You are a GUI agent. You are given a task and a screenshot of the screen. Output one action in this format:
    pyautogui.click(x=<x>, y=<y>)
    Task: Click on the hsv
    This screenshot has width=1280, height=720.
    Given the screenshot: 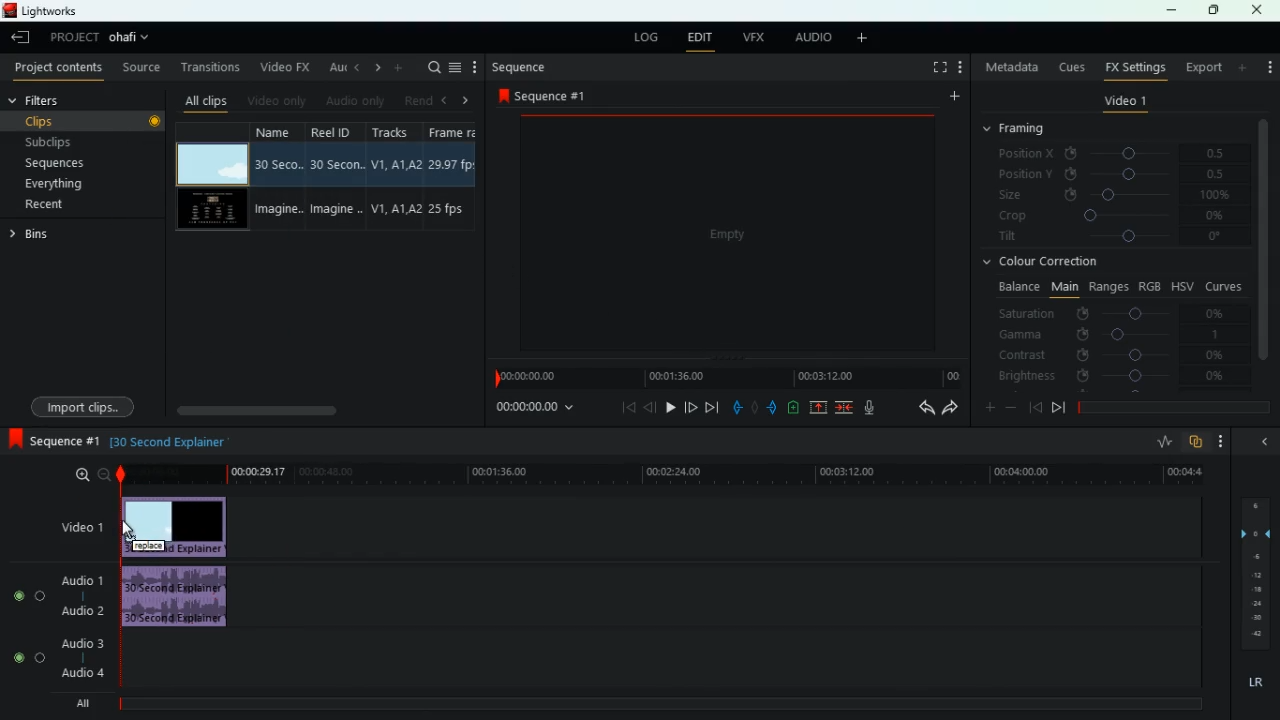 What is the action you would take?
    pyautogui.click(x=1181, y=285)
    